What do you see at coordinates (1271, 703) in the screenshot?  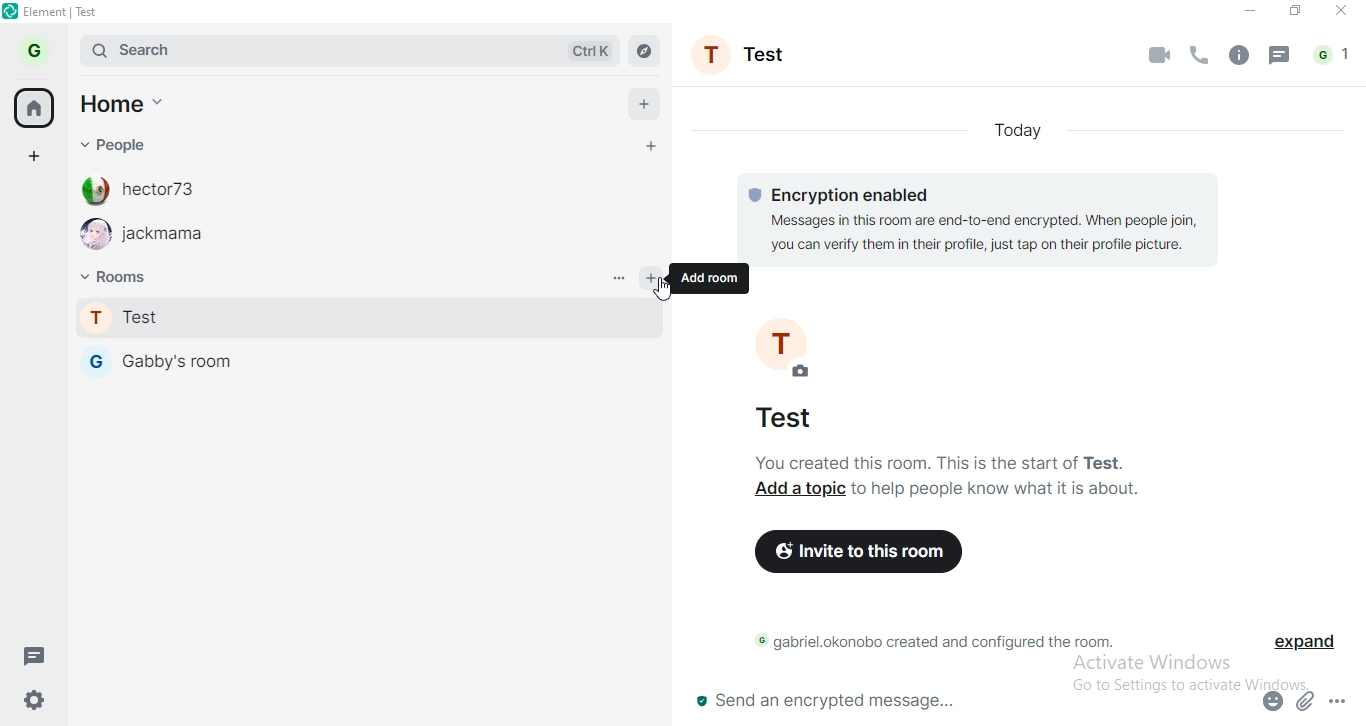 I see `emoji` at bounding box center [1271, 703].